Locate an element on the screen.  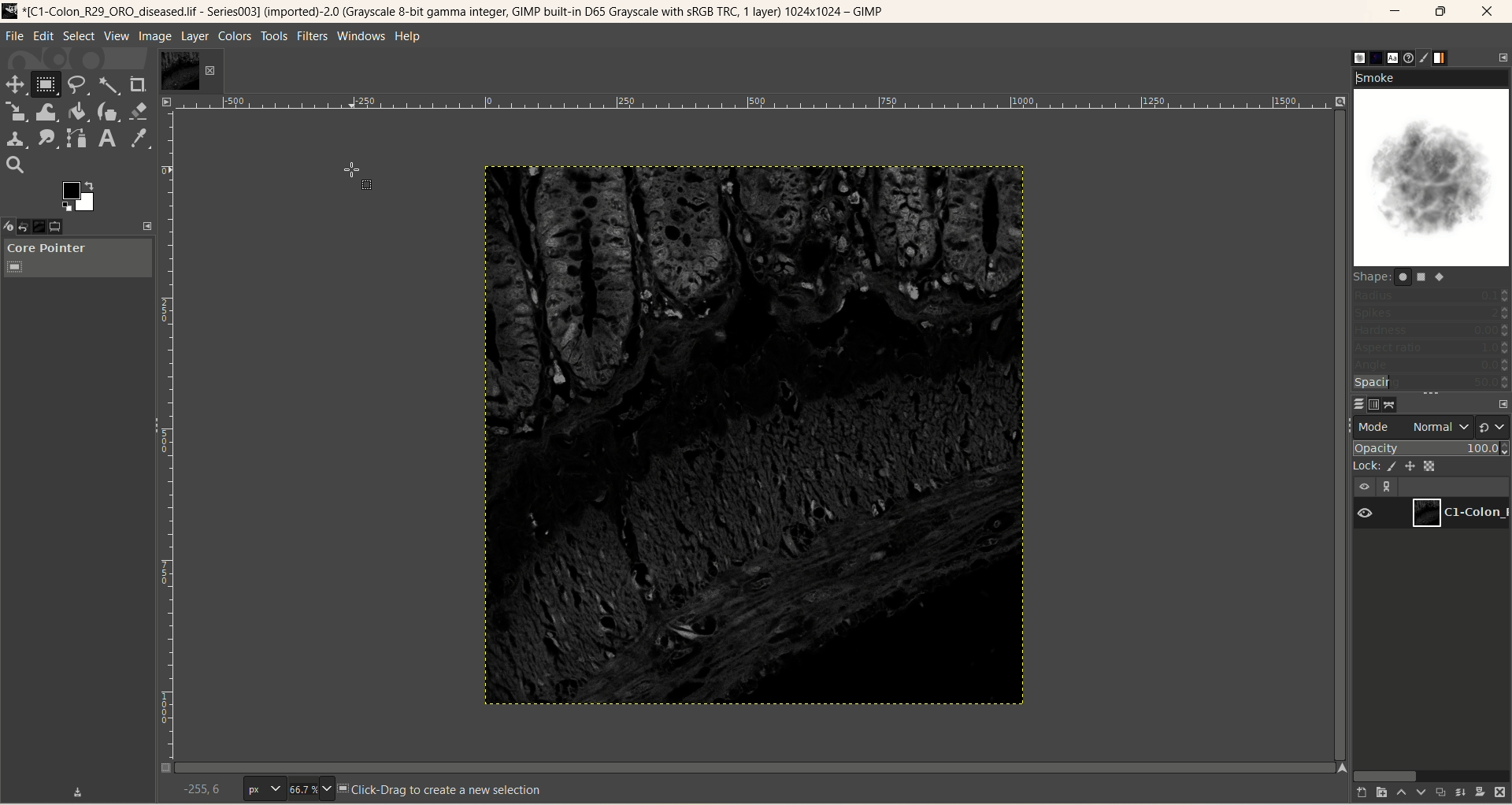
cursor is located at coordinates (358, 178).